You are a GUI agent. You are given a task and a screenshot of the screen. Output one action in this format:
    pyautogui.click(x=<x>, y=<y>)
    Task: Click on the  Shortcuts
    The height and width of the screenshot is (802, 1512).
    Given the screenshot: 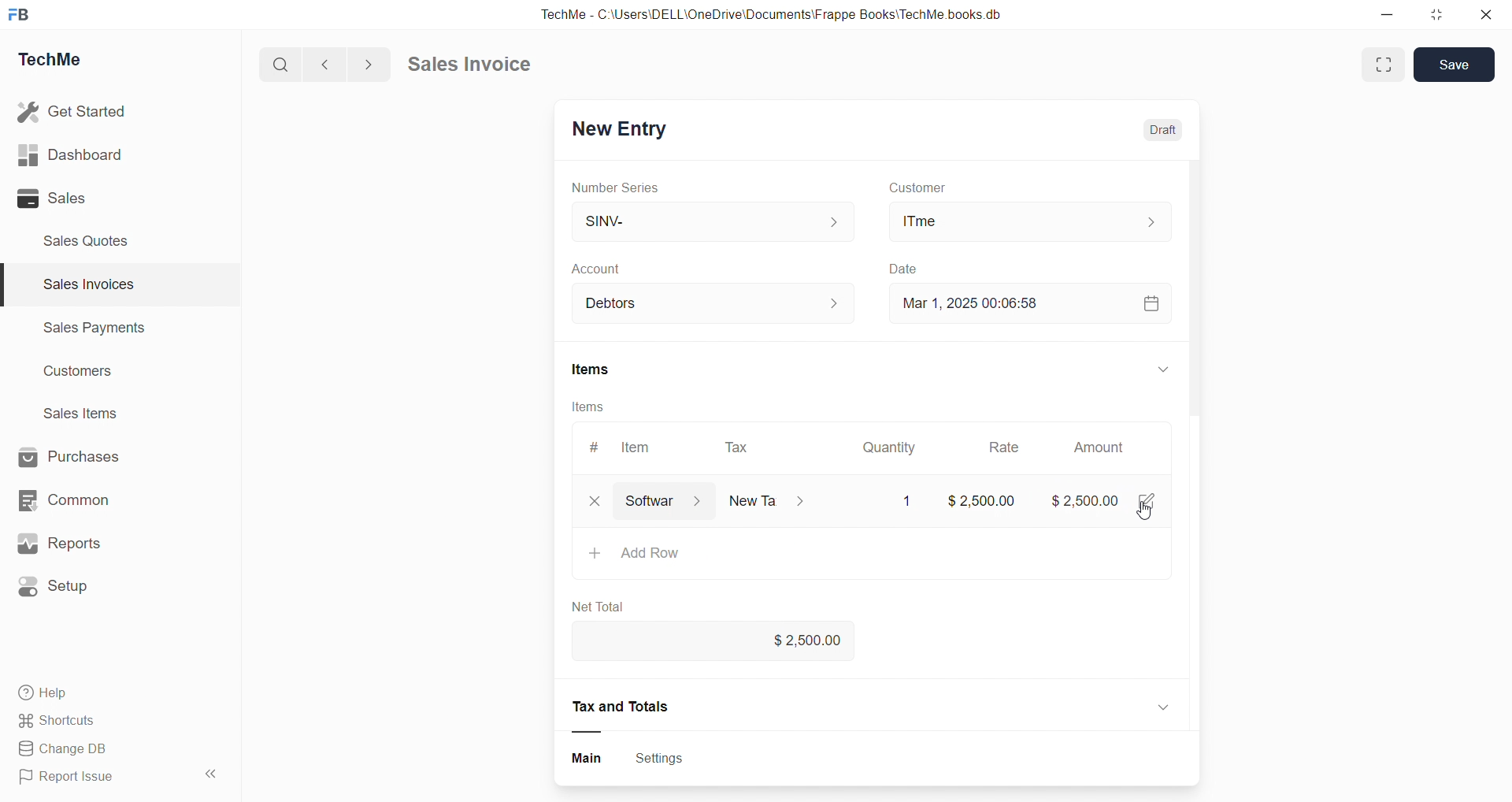 What is the action you would take?
    pyautogui.click(x=63, y=722)
    